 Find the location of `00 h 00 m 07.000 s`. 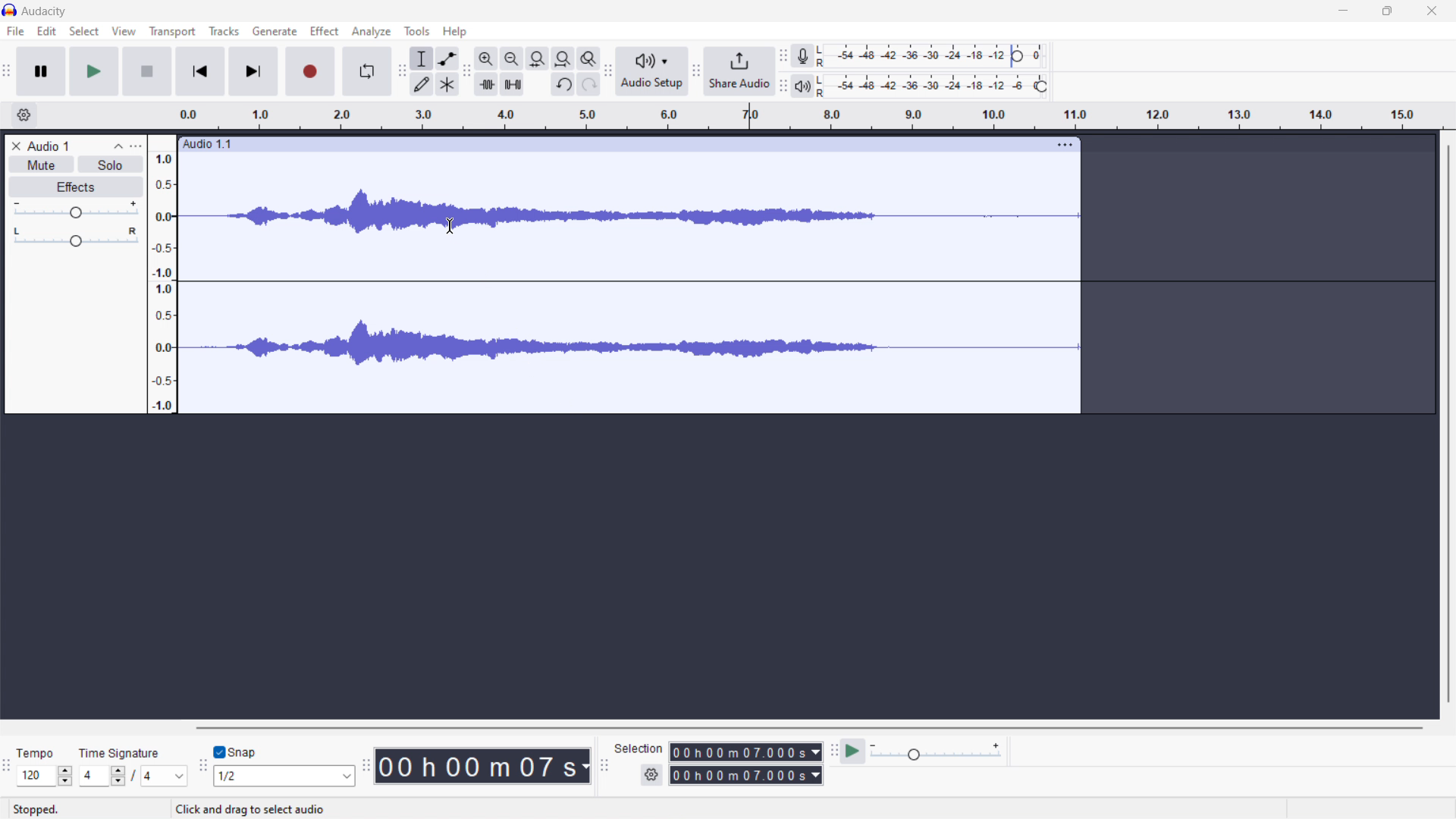

00 h 00 m 07.000 s is located at coordinates (745, 778).